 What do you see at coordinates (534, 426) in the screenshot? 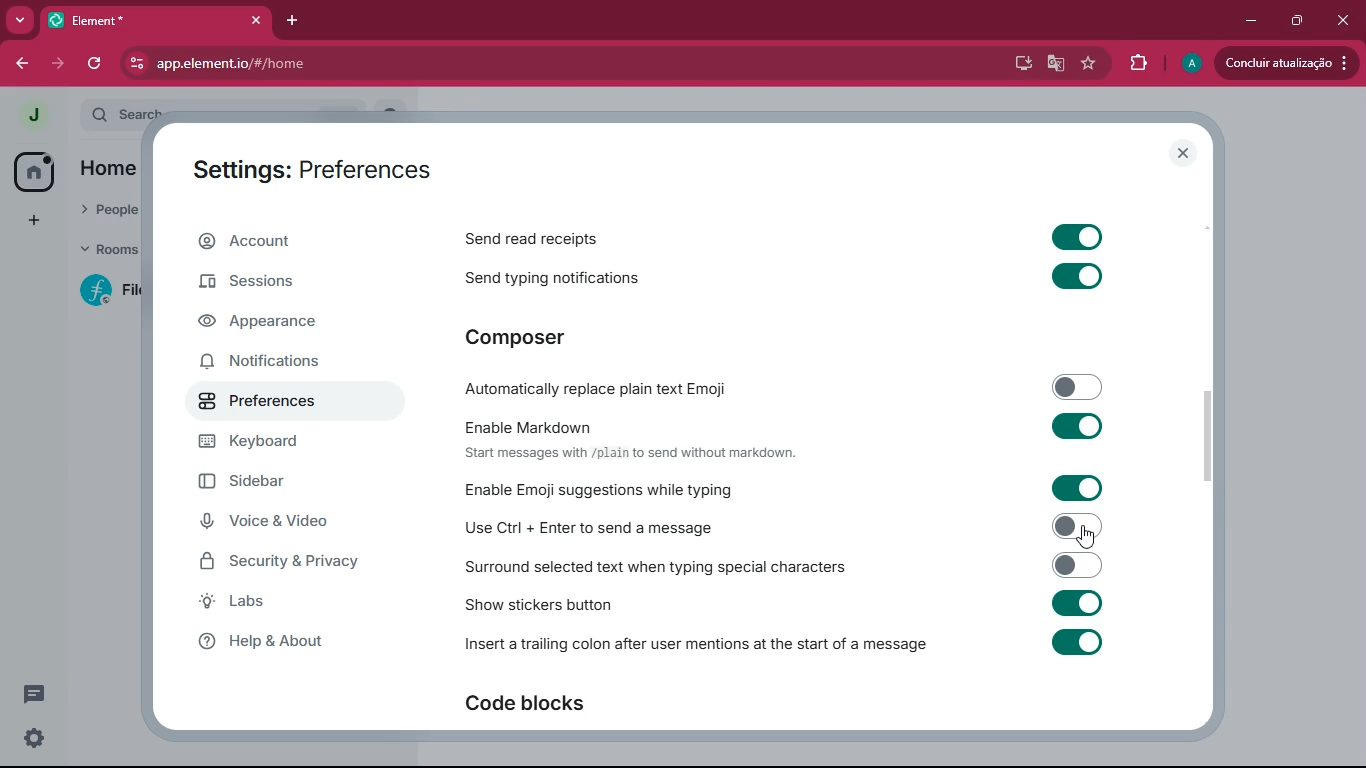
I see `enable markdown` at bounding box center [534, 426].